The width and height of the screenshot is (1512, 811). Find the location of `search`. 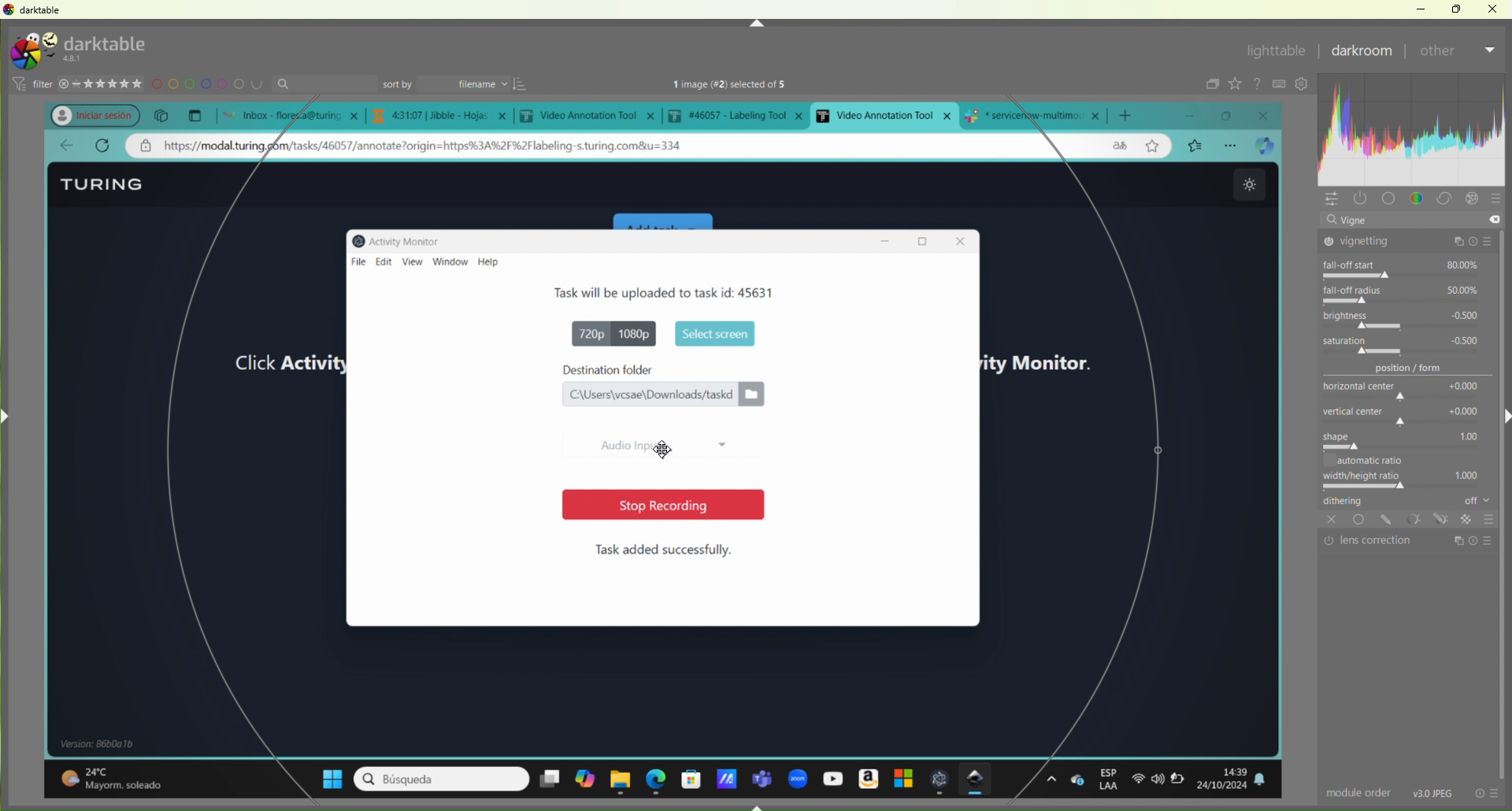

search is located at coordinates (328, 84).